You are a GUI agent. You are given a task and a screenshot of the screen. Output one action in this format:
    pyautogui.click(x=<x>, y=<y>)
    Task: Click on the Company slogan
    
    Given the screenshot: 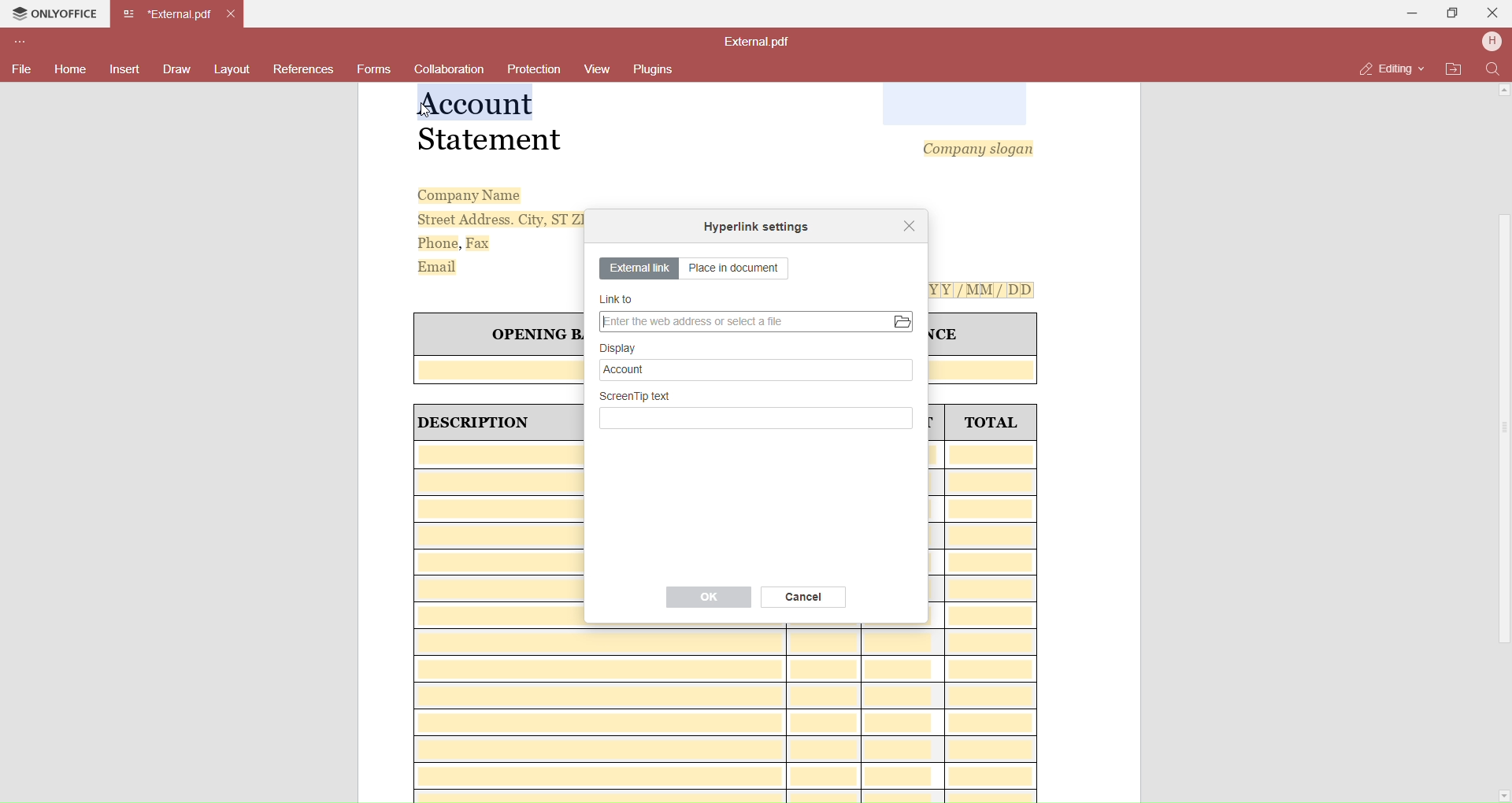 What is the action you would take?
    pyautogui.click(x=980, y=147)
    